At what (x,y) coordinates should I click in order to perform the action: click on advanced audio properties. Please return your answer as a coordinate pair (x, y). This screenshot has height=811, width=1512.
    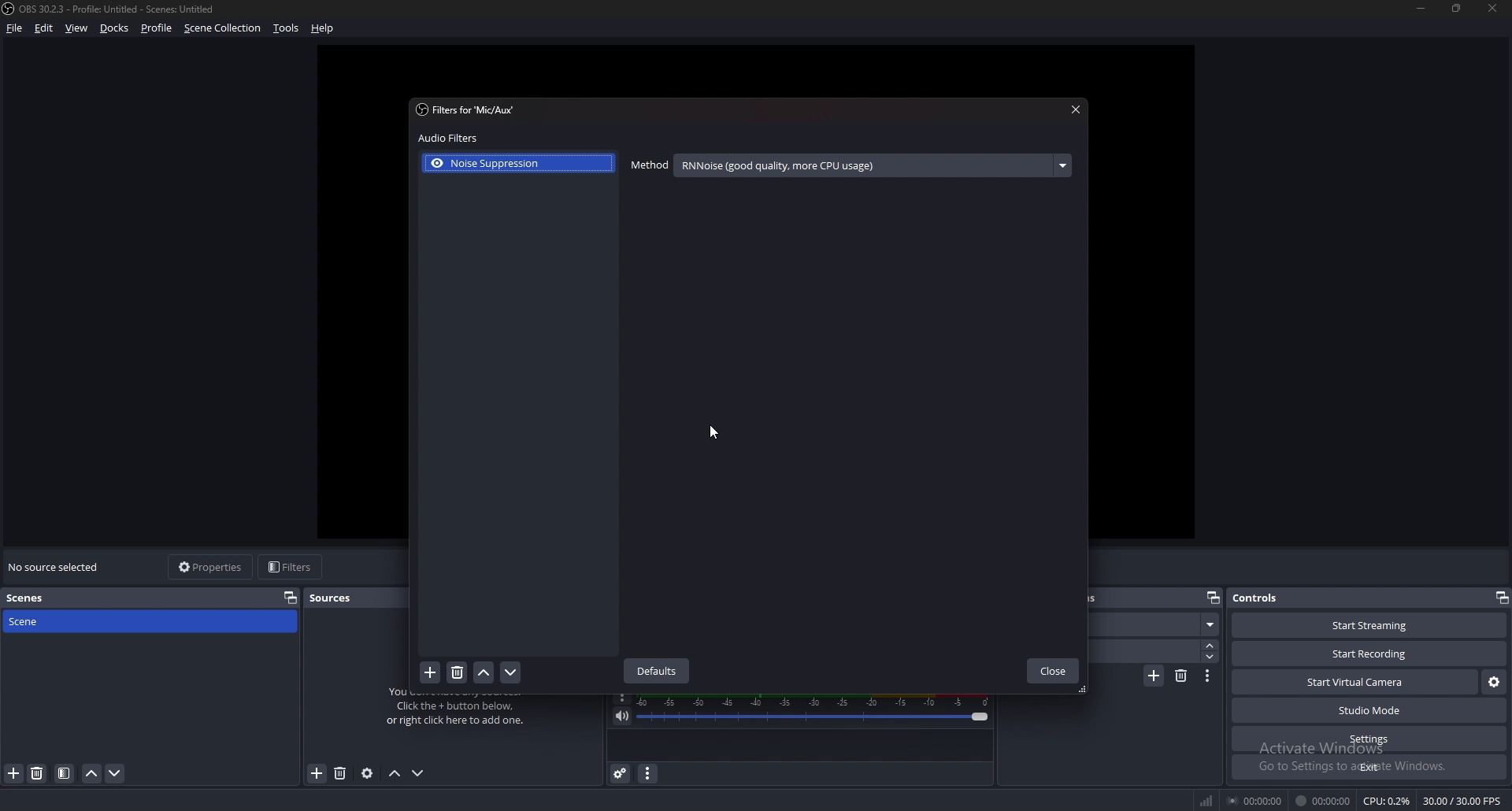
    Looking at the image, I should click on (621, 773).